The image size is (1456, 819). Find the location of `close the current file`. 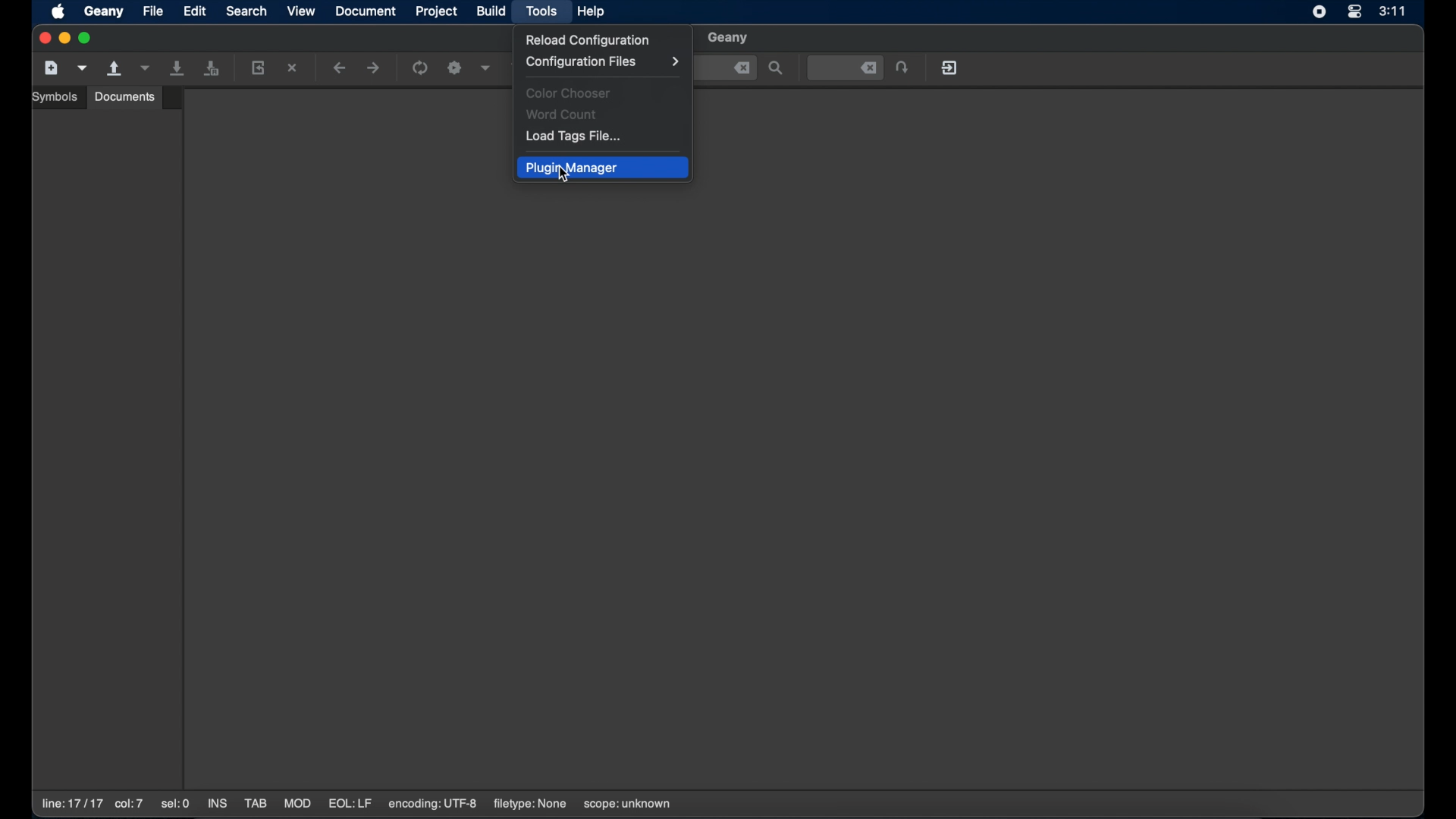

close the current file is located at coordinates (293, 69).